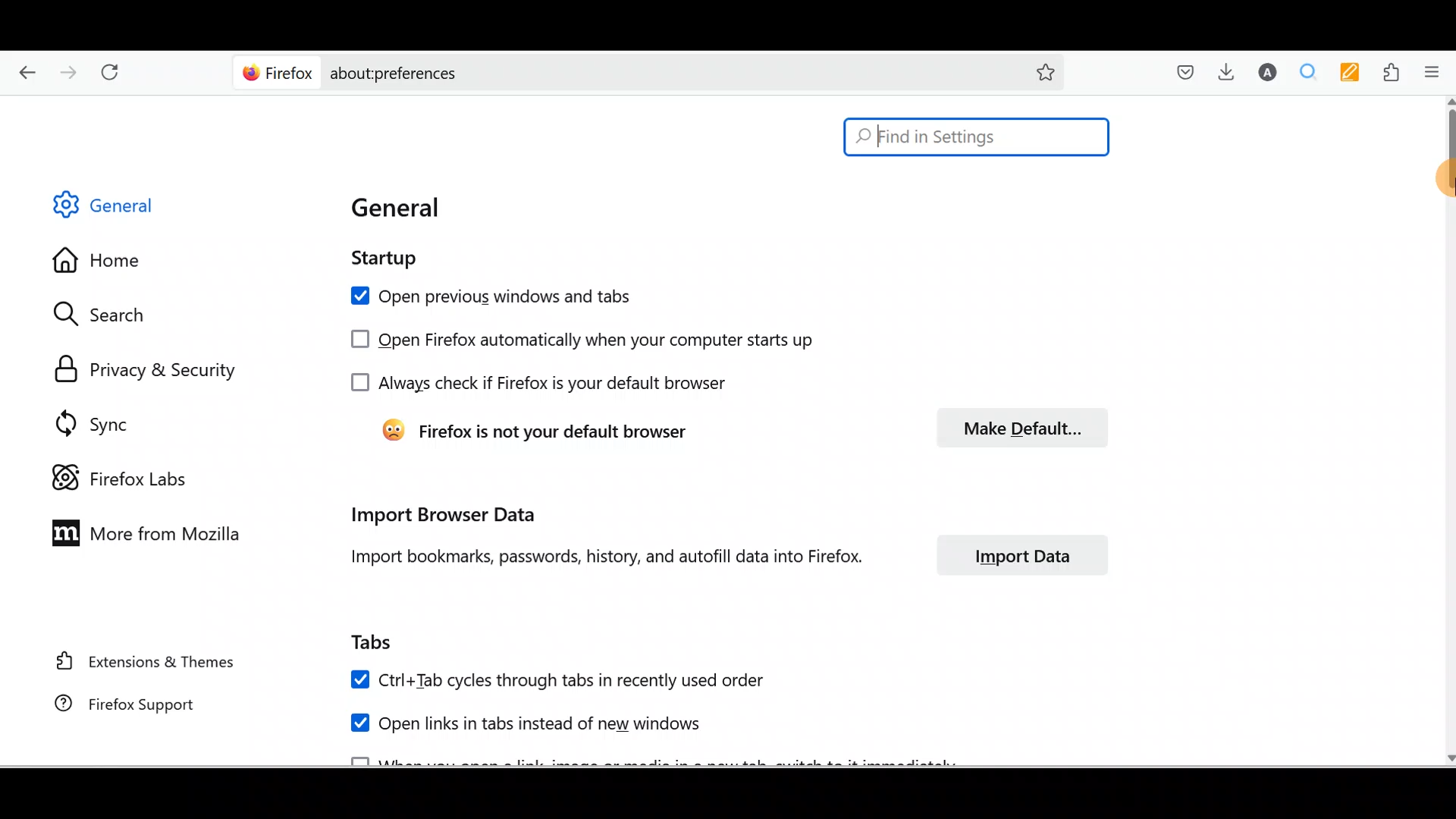 The width and height of the screenshot is (1456, 819). What do you see at coordinates (595, 560) in the screenshot?
I see `Import bookmarks, passwords, history and autofill data into Firefox` at bounding box center [595, 560].